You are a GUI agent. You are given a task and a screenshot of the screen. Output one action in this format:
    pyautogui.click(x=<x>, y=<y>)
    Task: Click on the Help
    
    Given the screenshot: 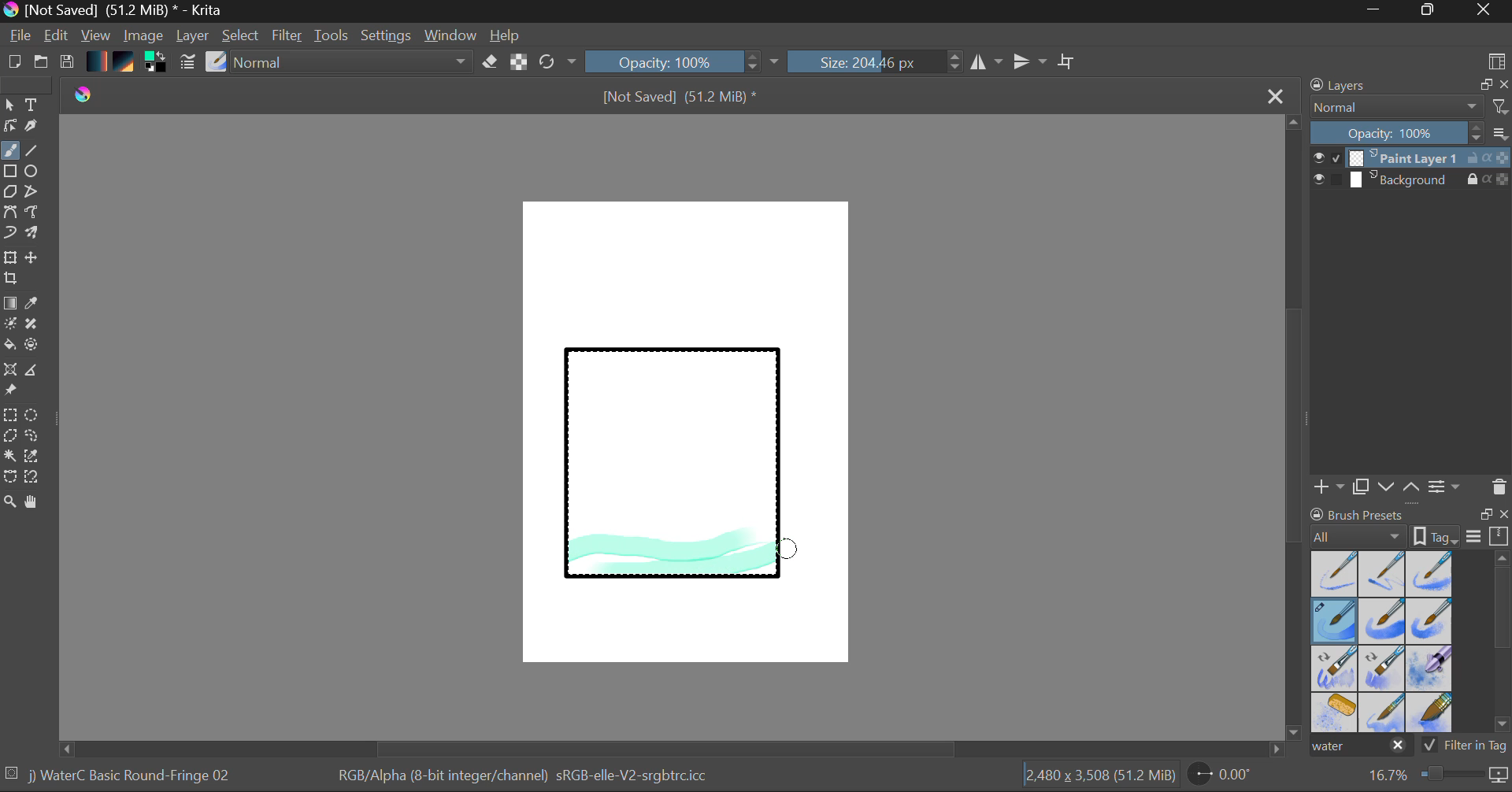 What is the action you would take?
    pyautogui.click(x=506, y=35)
    